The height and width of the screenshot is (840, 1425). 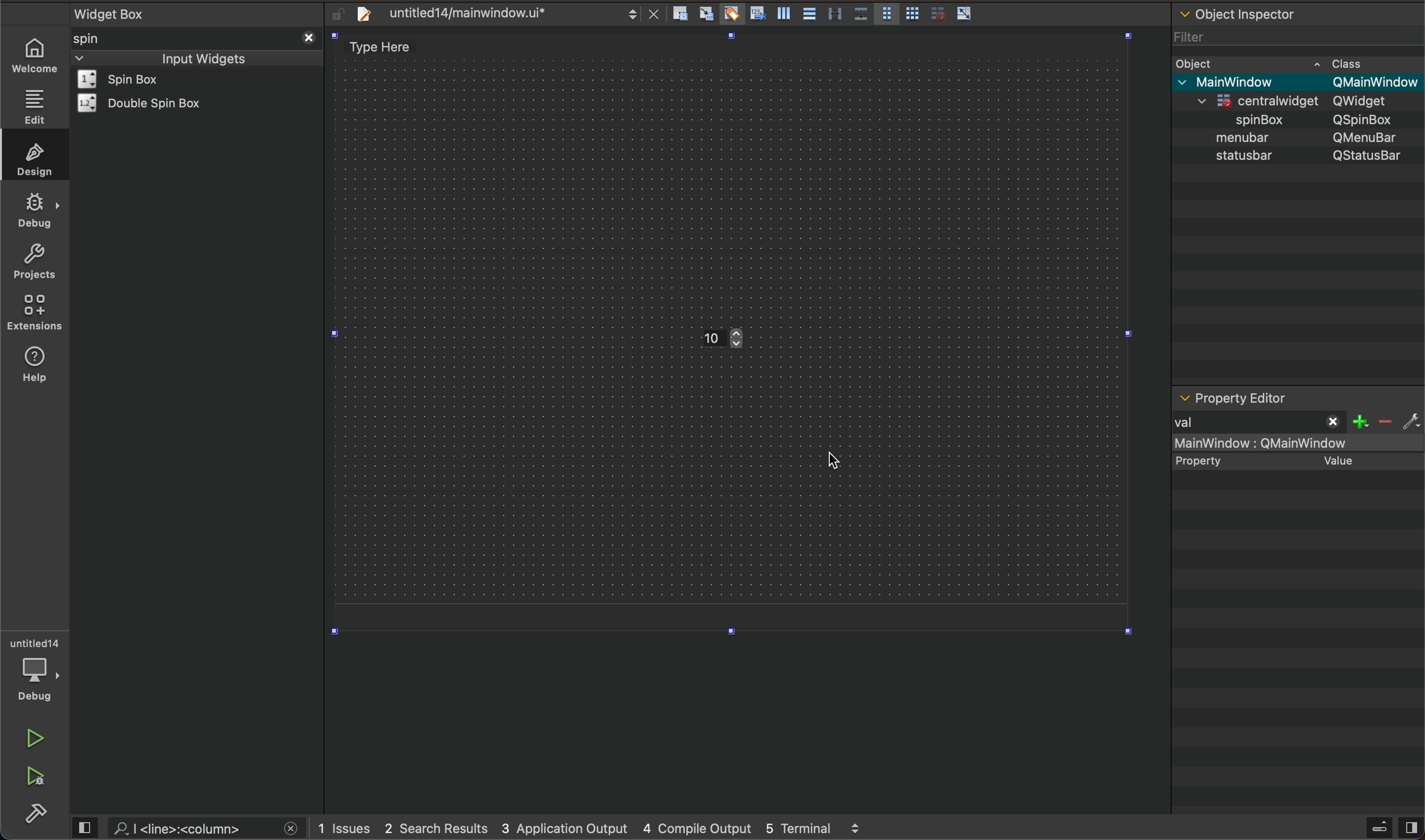 What do you see at coordinates (1349, 62) in the screenshot?
I see `class` at bounding box center [1349, 62].